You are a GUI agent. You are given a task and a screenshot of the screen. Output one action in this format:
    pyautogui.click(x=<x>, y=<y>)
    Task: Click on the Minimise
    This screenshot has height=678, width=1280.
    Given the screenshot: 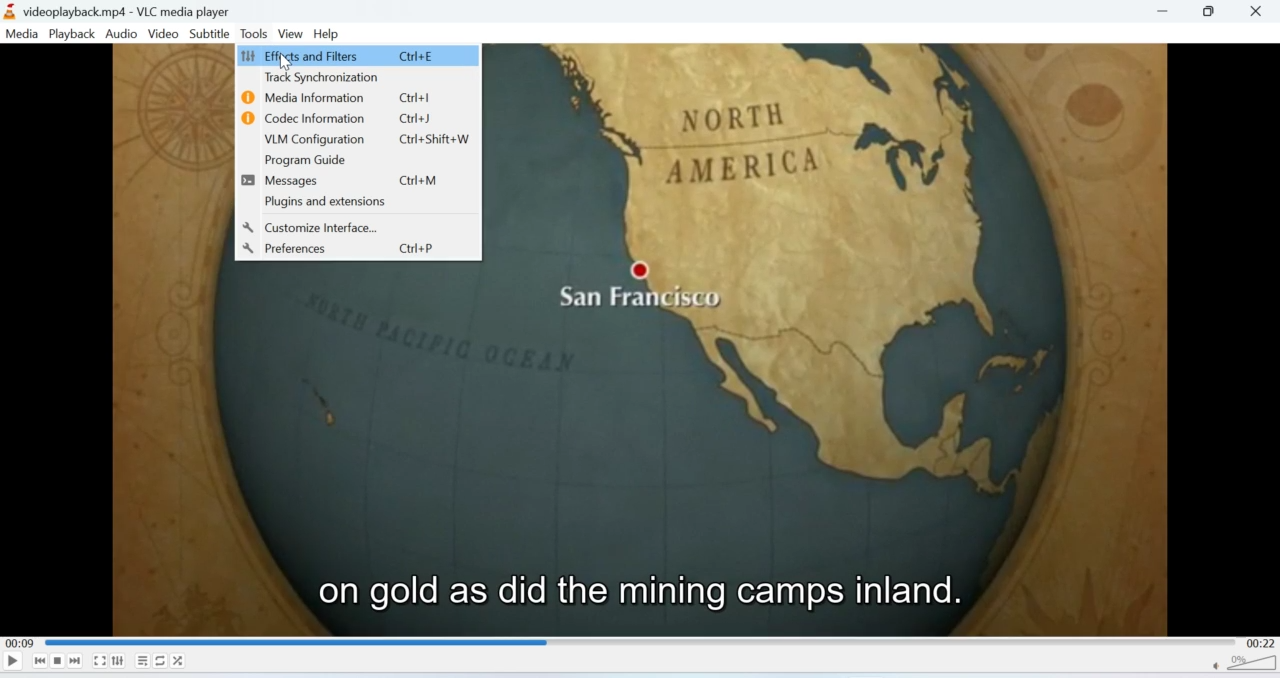 What is the action you would take?
    pyautogui.click(x=1208, y=11)
    